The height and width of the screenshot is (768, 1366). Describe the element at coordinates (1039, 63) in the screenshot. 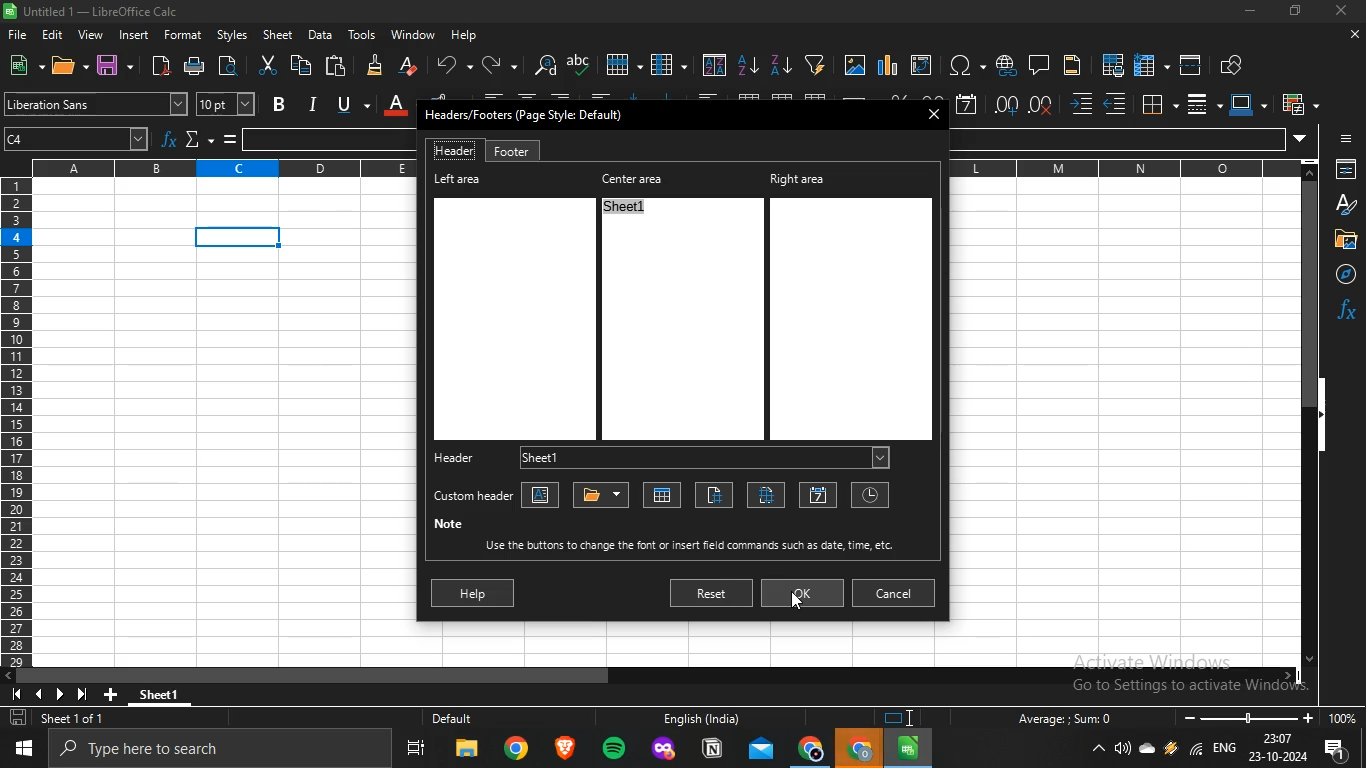

I see `insert comment ` at that location.